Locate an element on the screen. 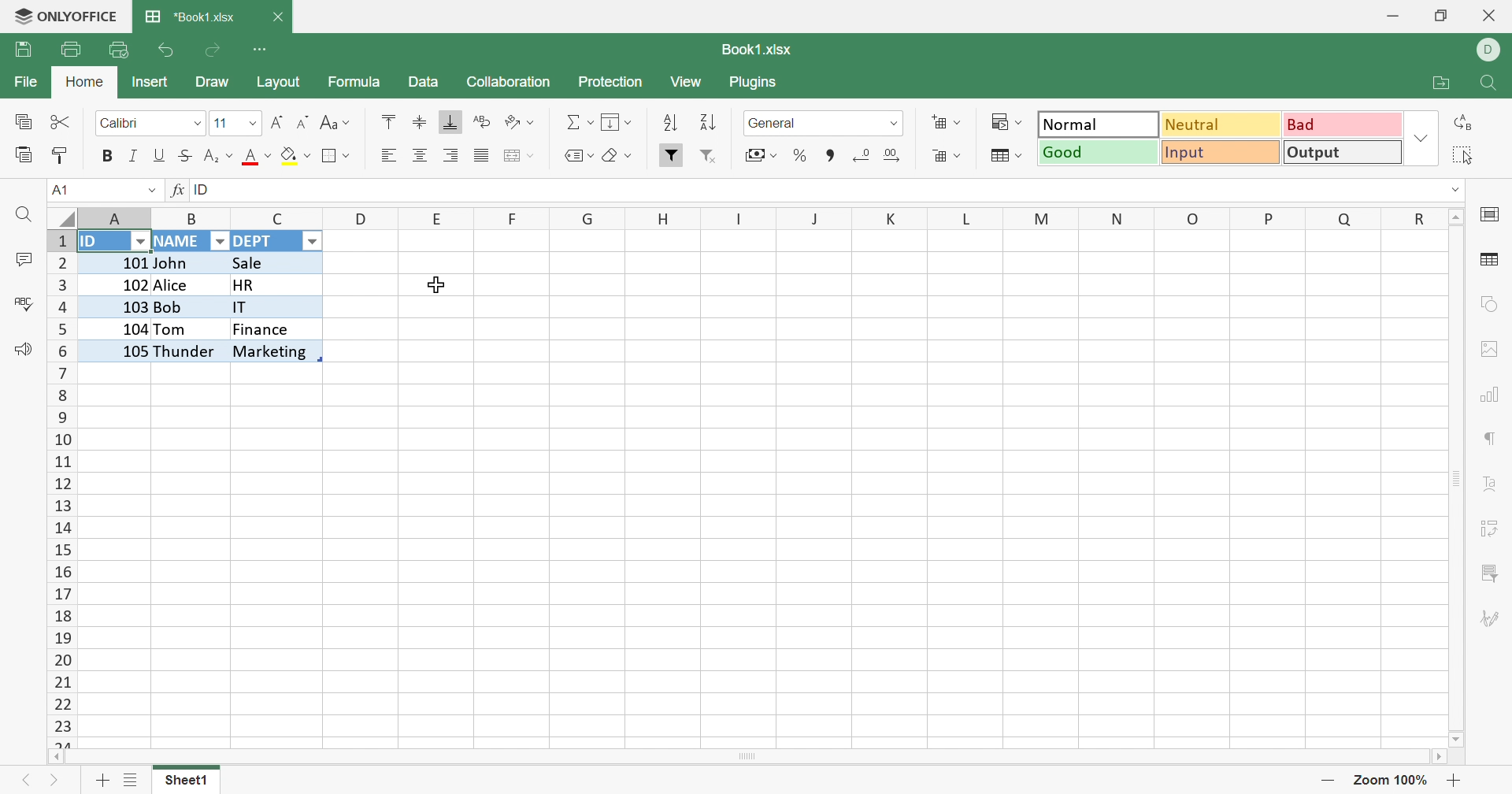 Image resolution: width=1512 pixels, height=794 pixels. Find is located at coordinates (1487, 84).